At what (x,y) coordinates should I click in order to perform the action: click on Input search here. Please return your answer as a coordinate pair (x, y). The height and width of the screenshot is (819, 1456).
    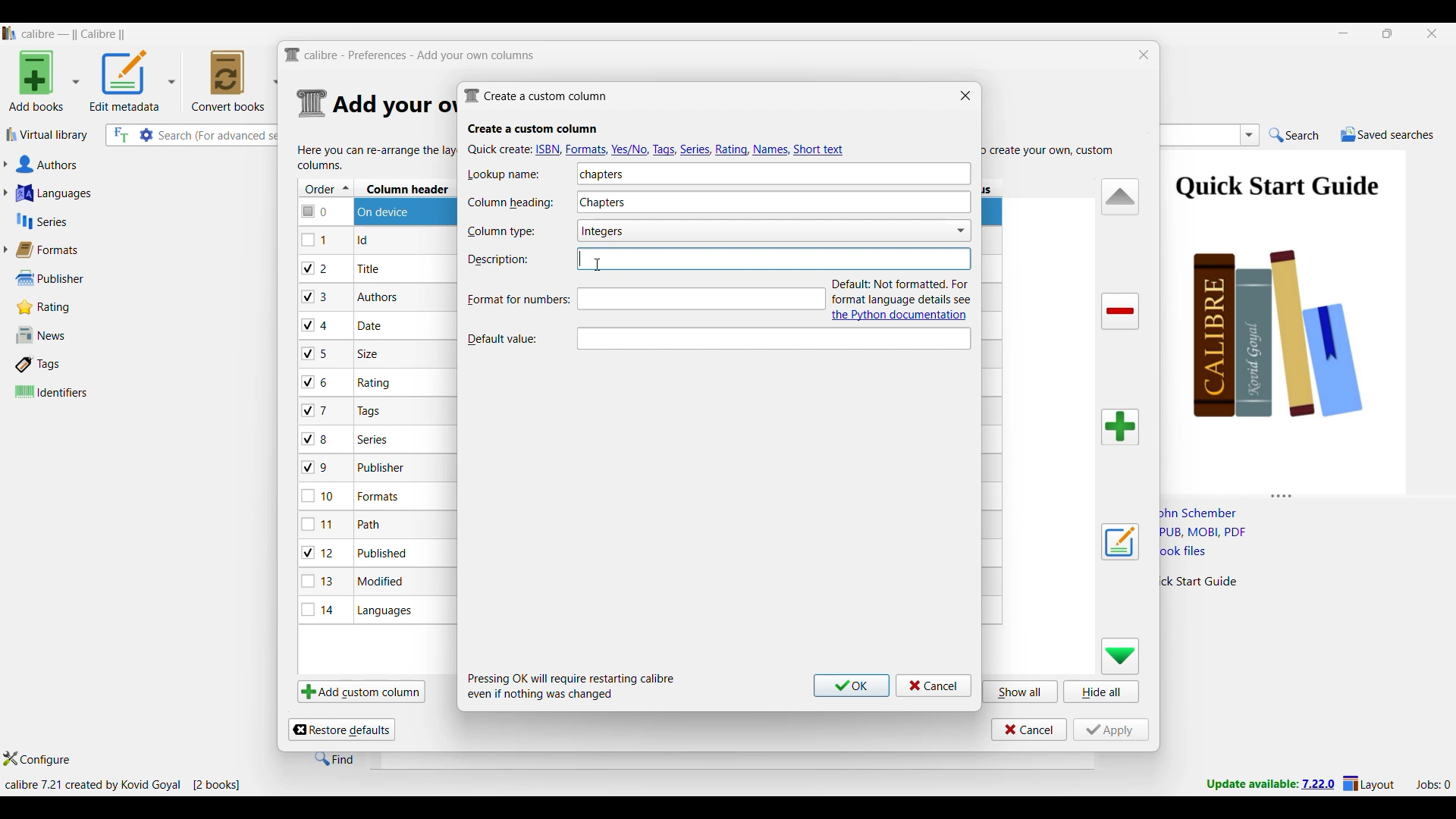
    Looking at the image, I should click on (220, 136).